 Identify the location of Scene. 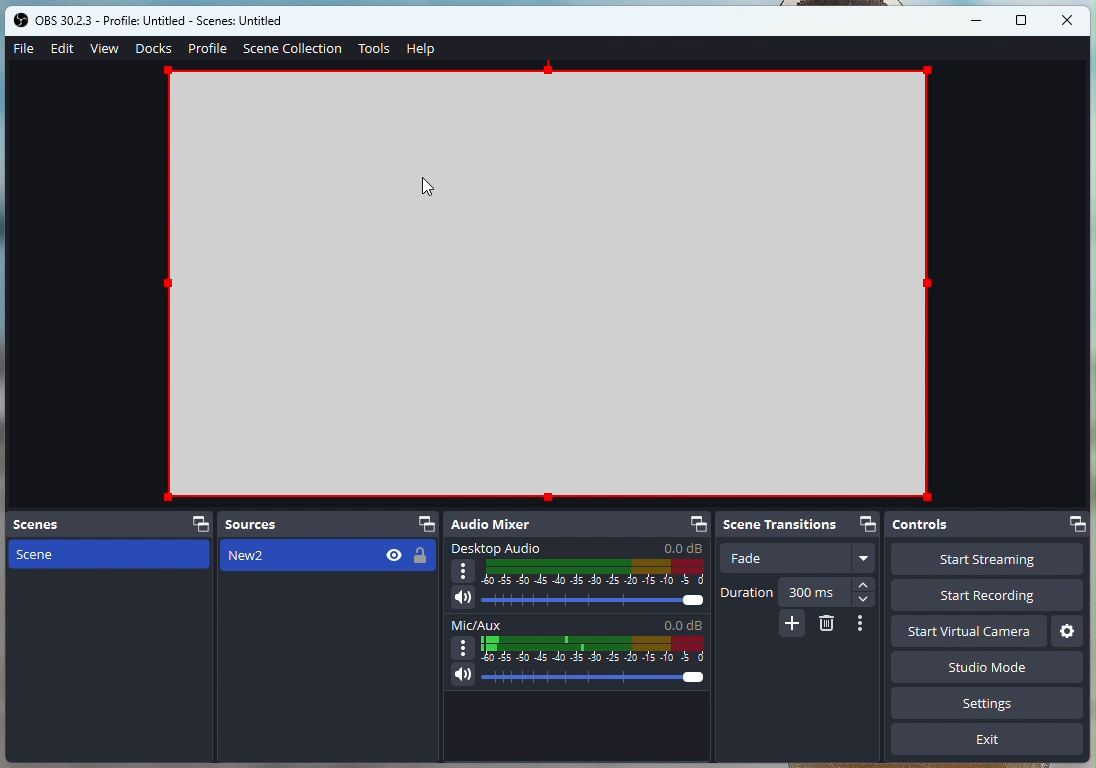
(105, 554).